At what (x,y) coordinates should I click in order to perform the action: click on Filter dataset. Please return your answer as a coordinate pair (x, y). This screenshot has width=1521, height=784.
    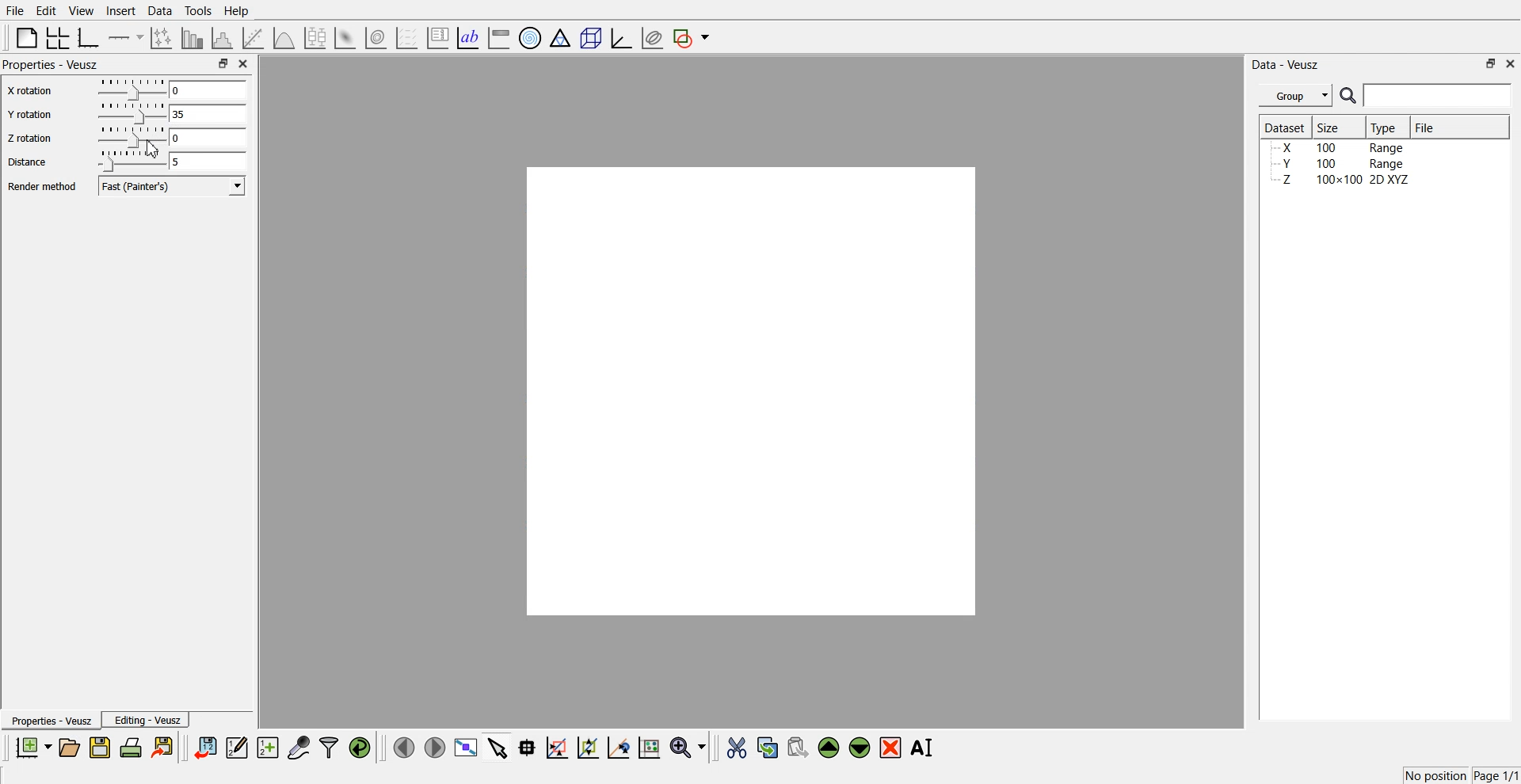
    Looking at the image, I should click on (329, 747).